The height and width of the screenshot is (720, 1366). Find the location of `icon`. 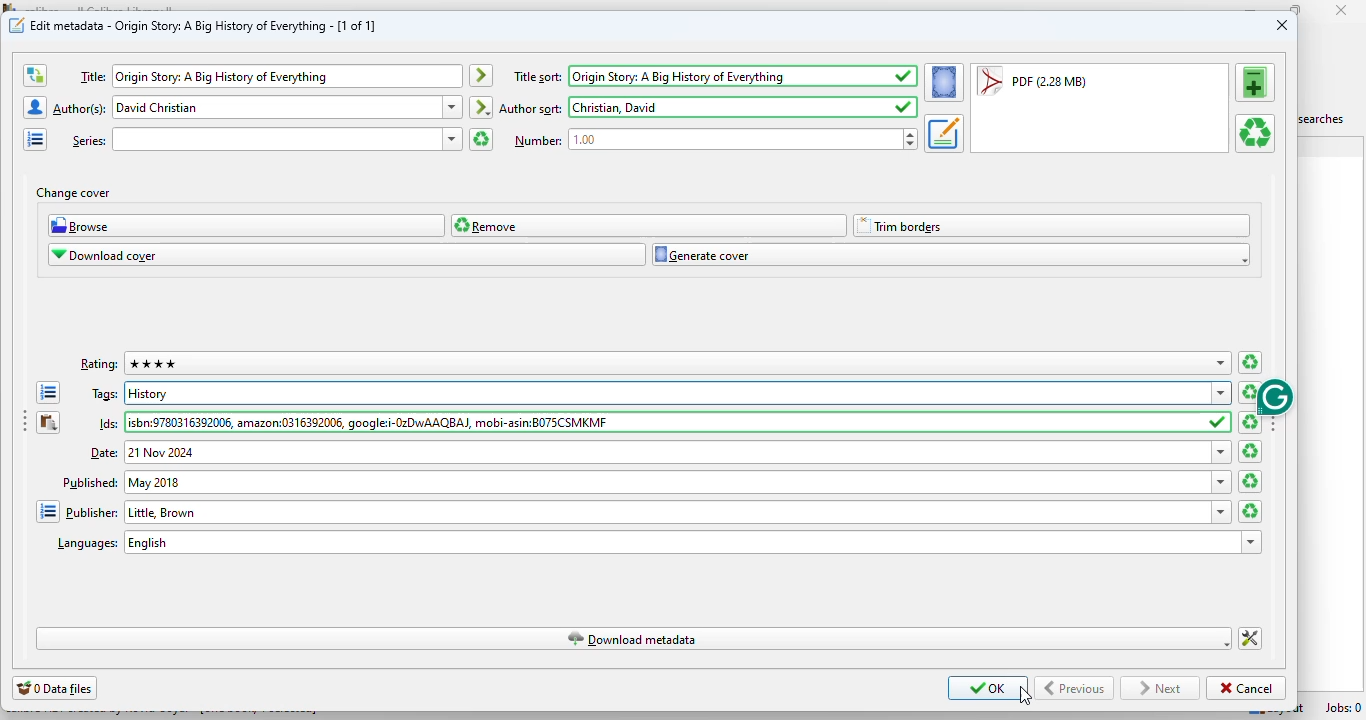

icon is located at coordinates (17, 25).